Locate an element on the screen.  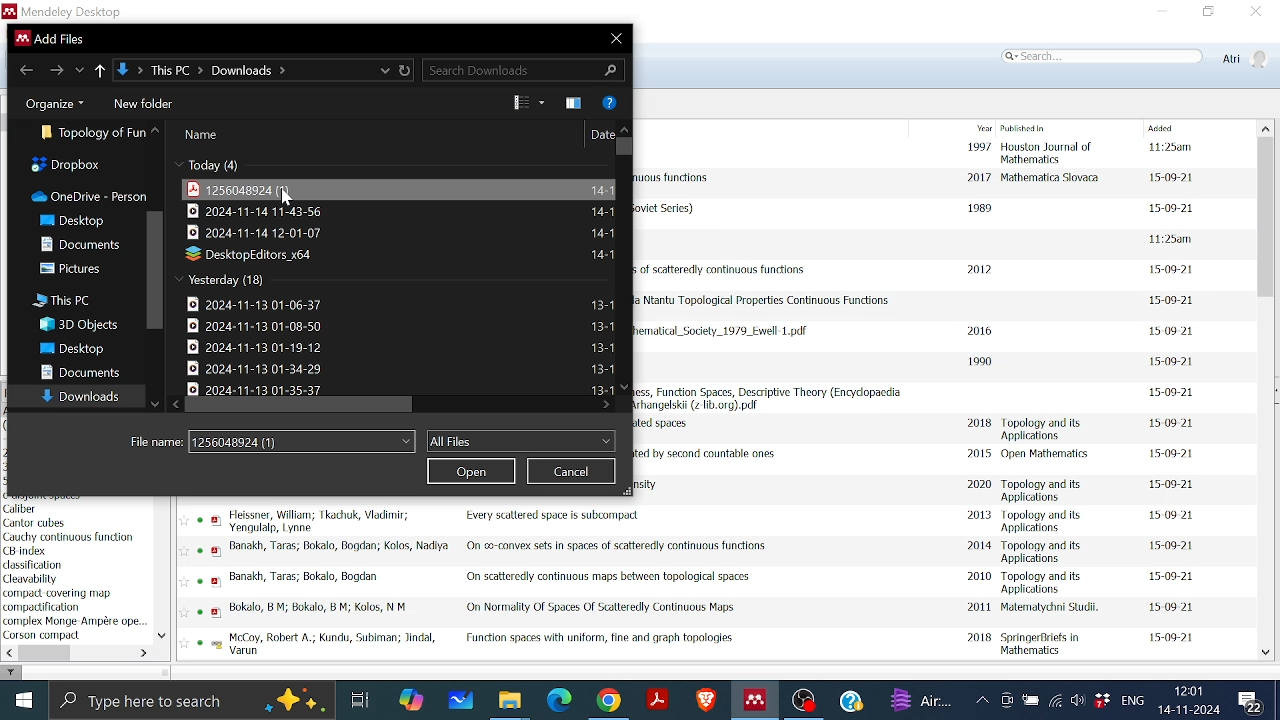
Adobe reader is located at coordinates (658, 699).